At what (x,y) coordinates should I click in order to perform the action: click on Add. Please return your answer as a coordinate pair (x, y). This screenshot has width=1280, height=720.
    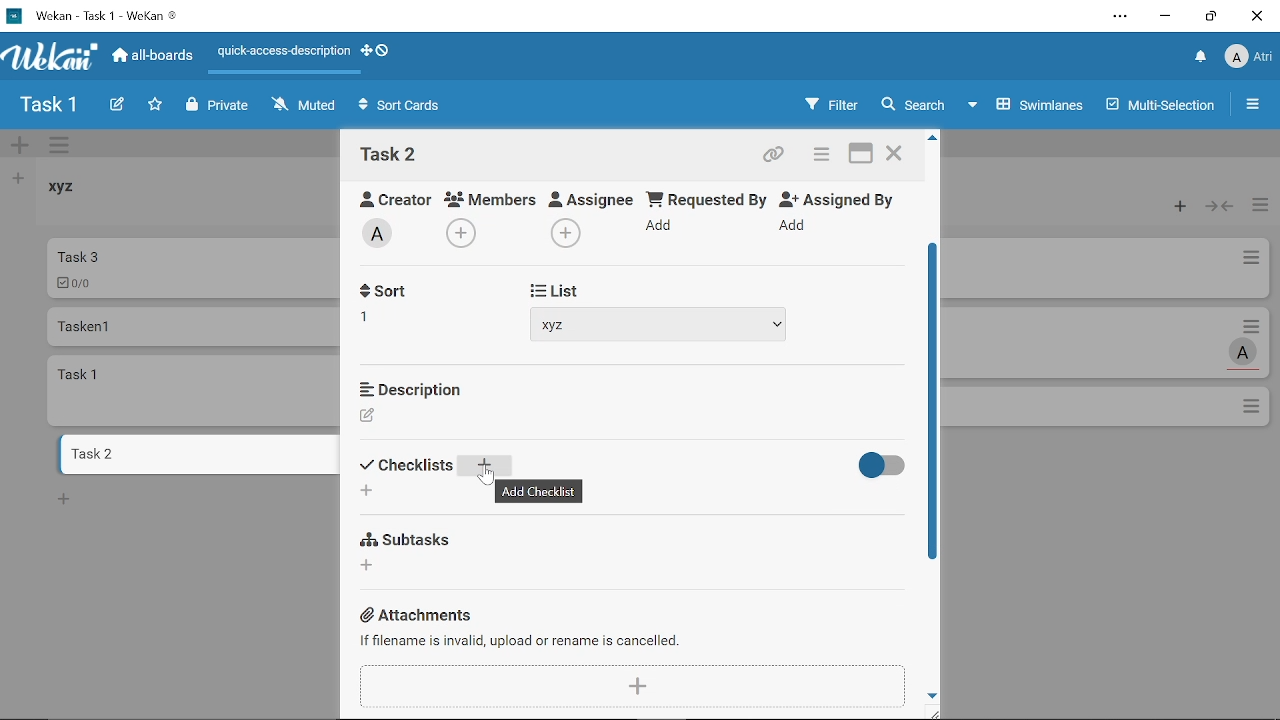
    Looking at the image, I should click on (483, 465).